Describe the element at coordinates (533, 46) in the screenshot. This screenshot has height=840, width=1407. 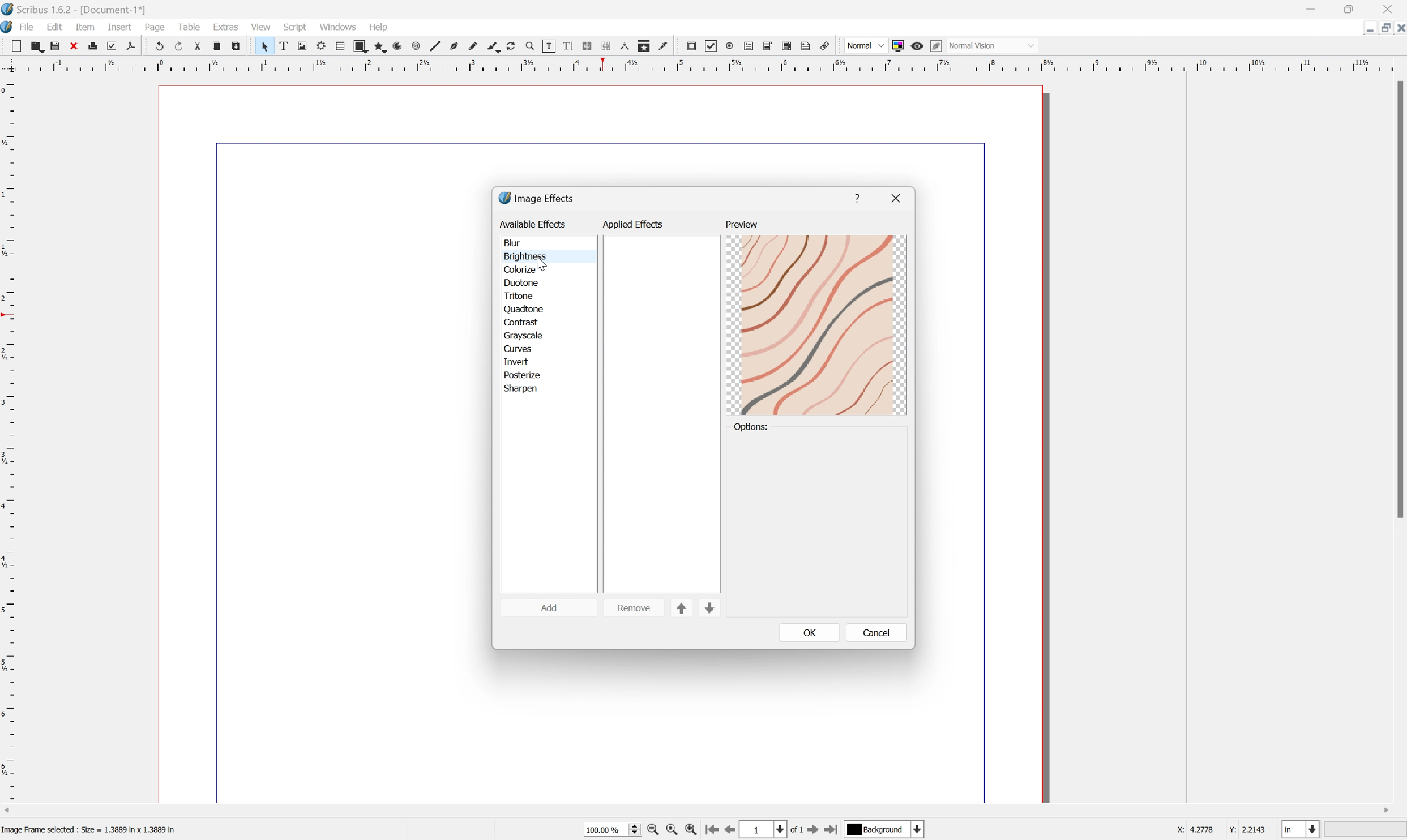
I see `Zoom in or out` at that location.